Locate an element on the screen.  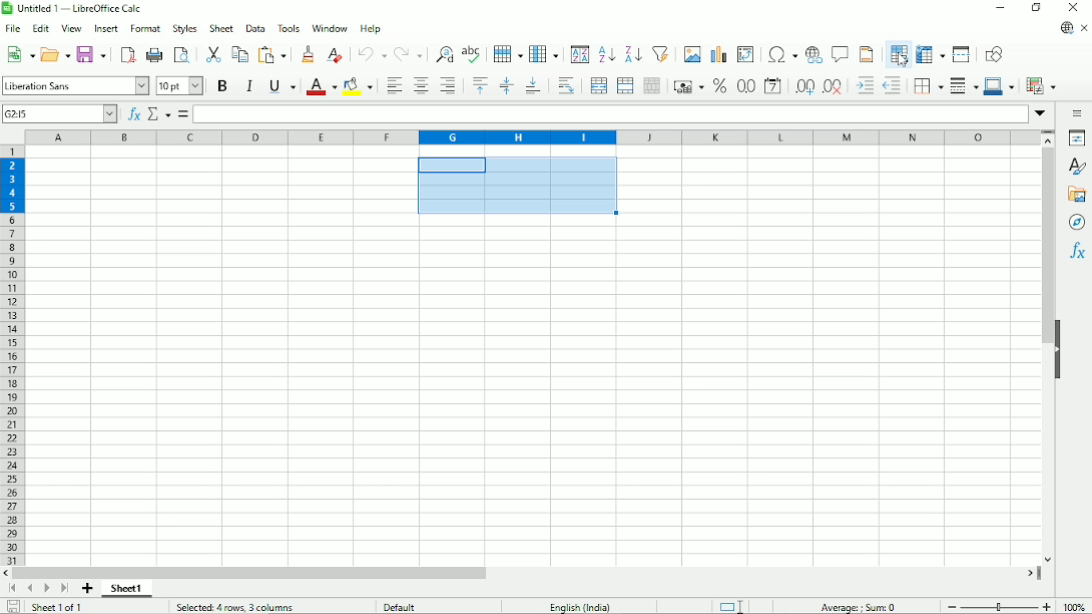
Cut is located at coordinates (212, 53).